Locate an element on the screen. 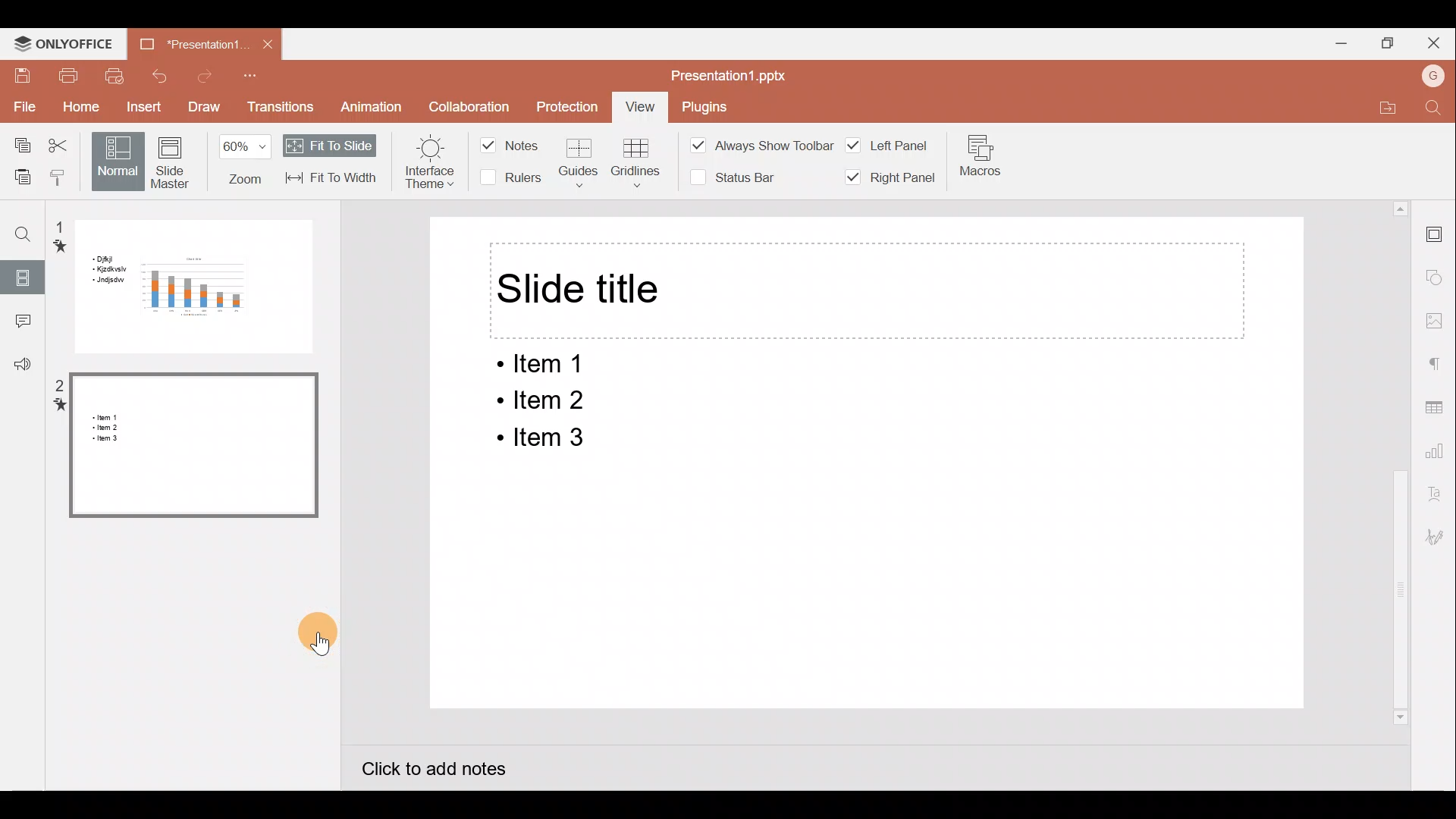 The width and height of the screenshot is (1456, 819). Copy style is located at coordinates (64, 178).